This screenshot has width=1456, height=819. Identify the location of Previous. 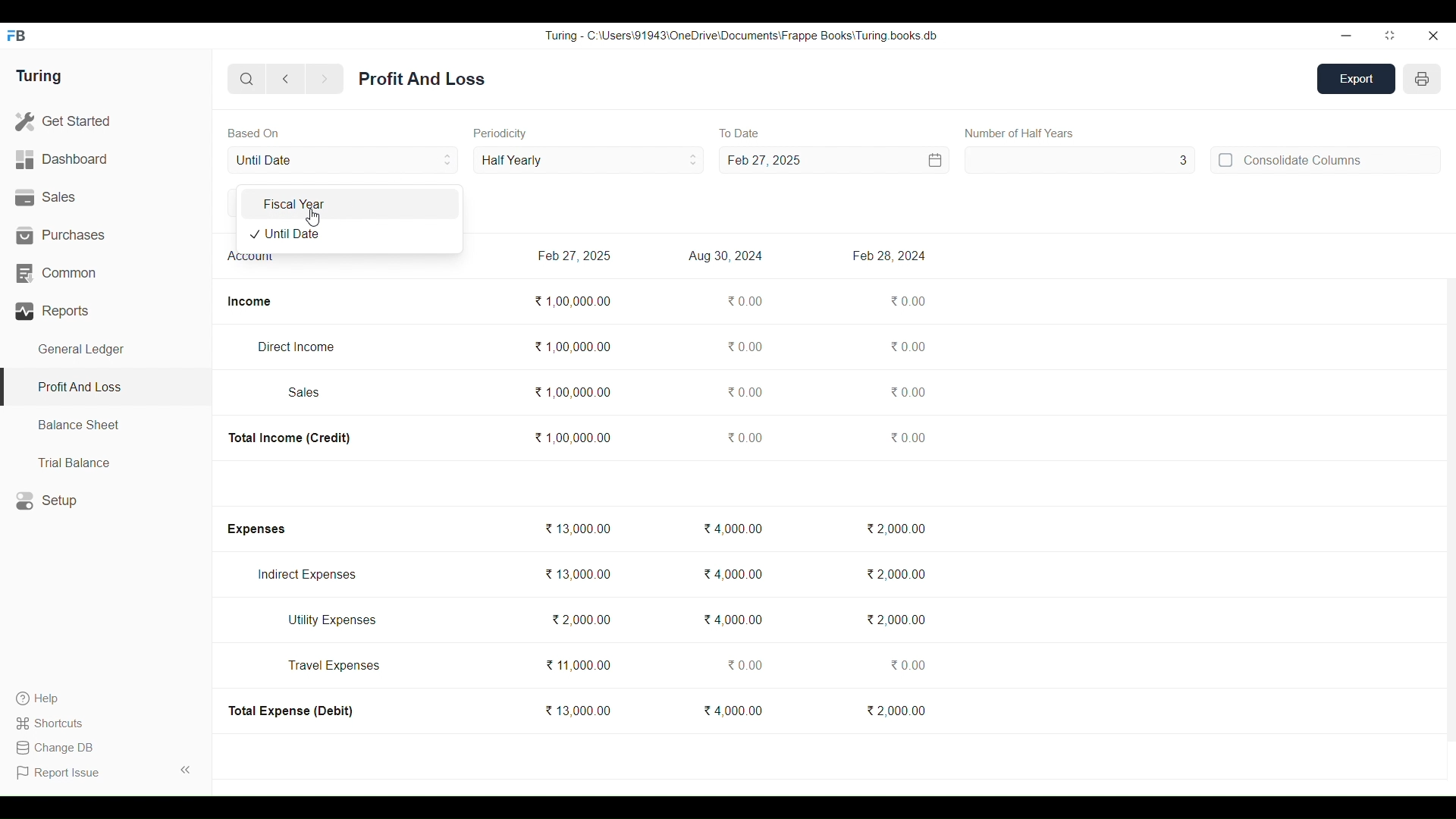
(287, 79).